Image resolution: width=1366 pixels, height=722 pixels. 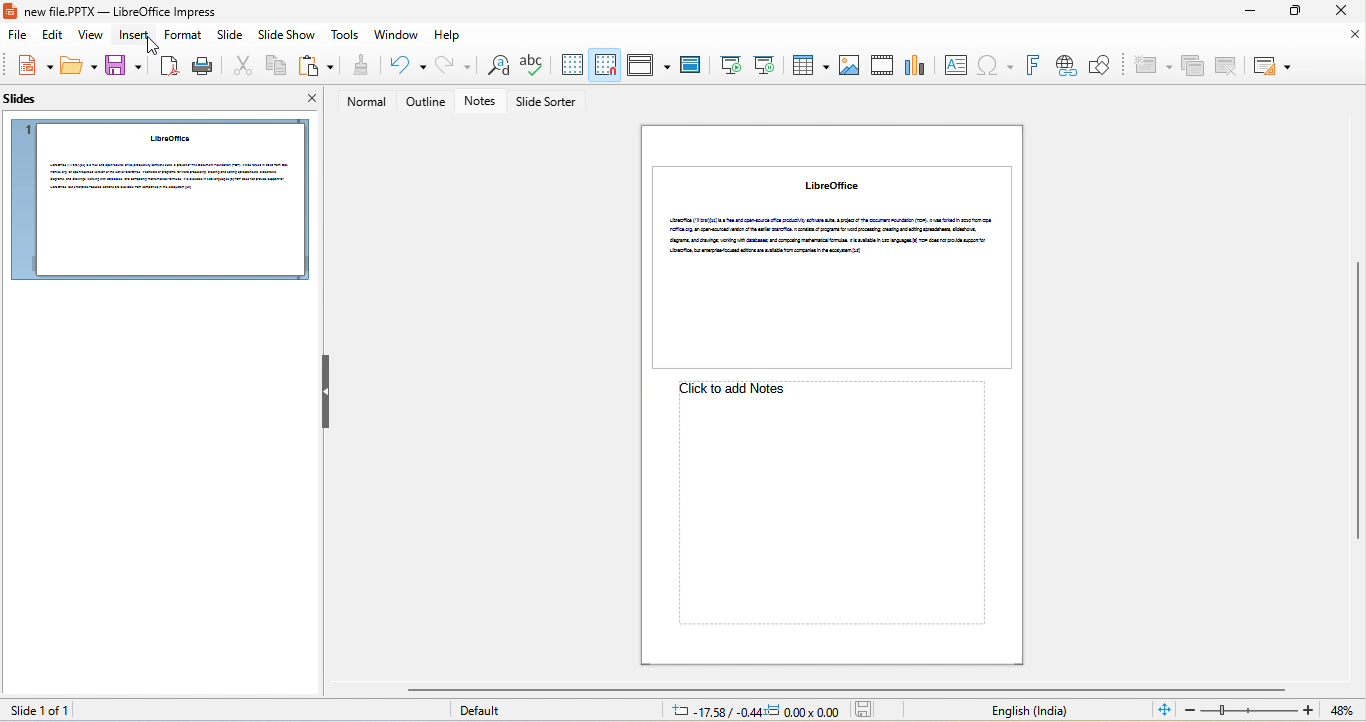 What do you see at coordinates (1029, 711) in the screenshot?
I see `text language` at bounding box center [1029, 711].